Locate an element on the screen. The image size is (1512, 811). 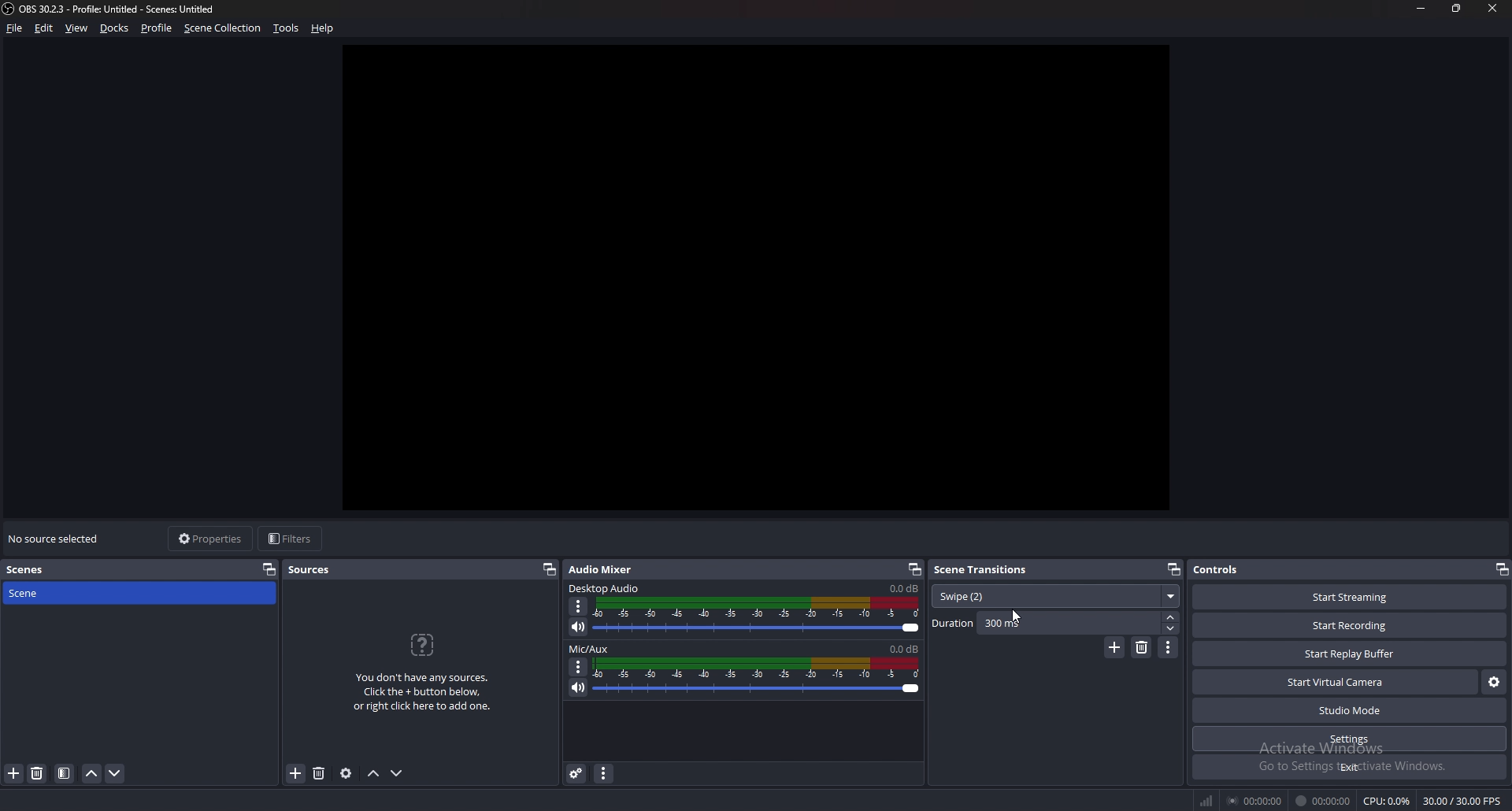
cursor is located at coordinates (1015, 618).